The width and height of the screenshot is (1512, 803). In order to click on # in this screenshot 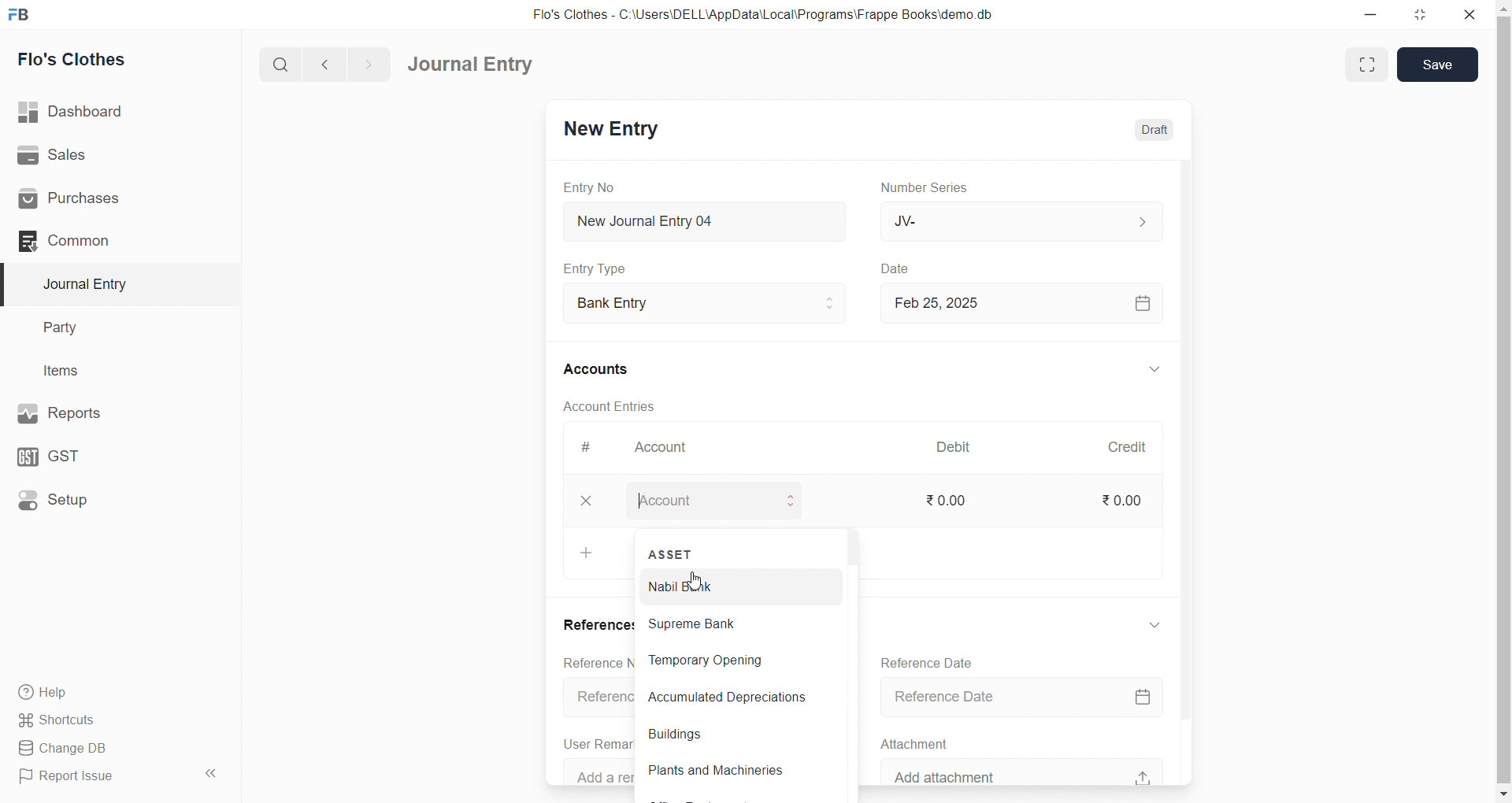, I will do `click(595, 449)`.